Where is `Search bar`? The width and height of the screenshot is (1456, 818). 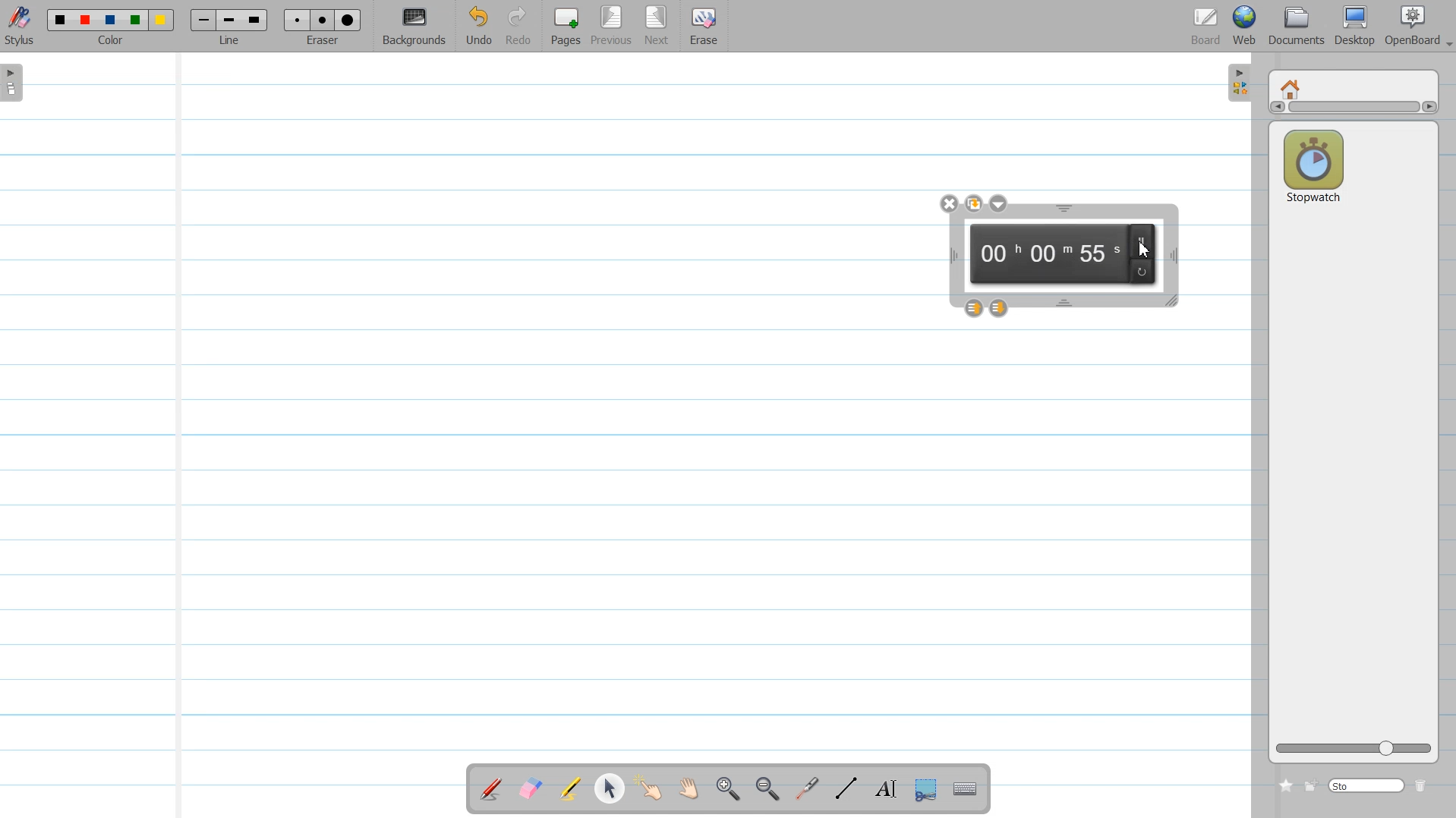
Search bar is located at coordinates (1368, 785).